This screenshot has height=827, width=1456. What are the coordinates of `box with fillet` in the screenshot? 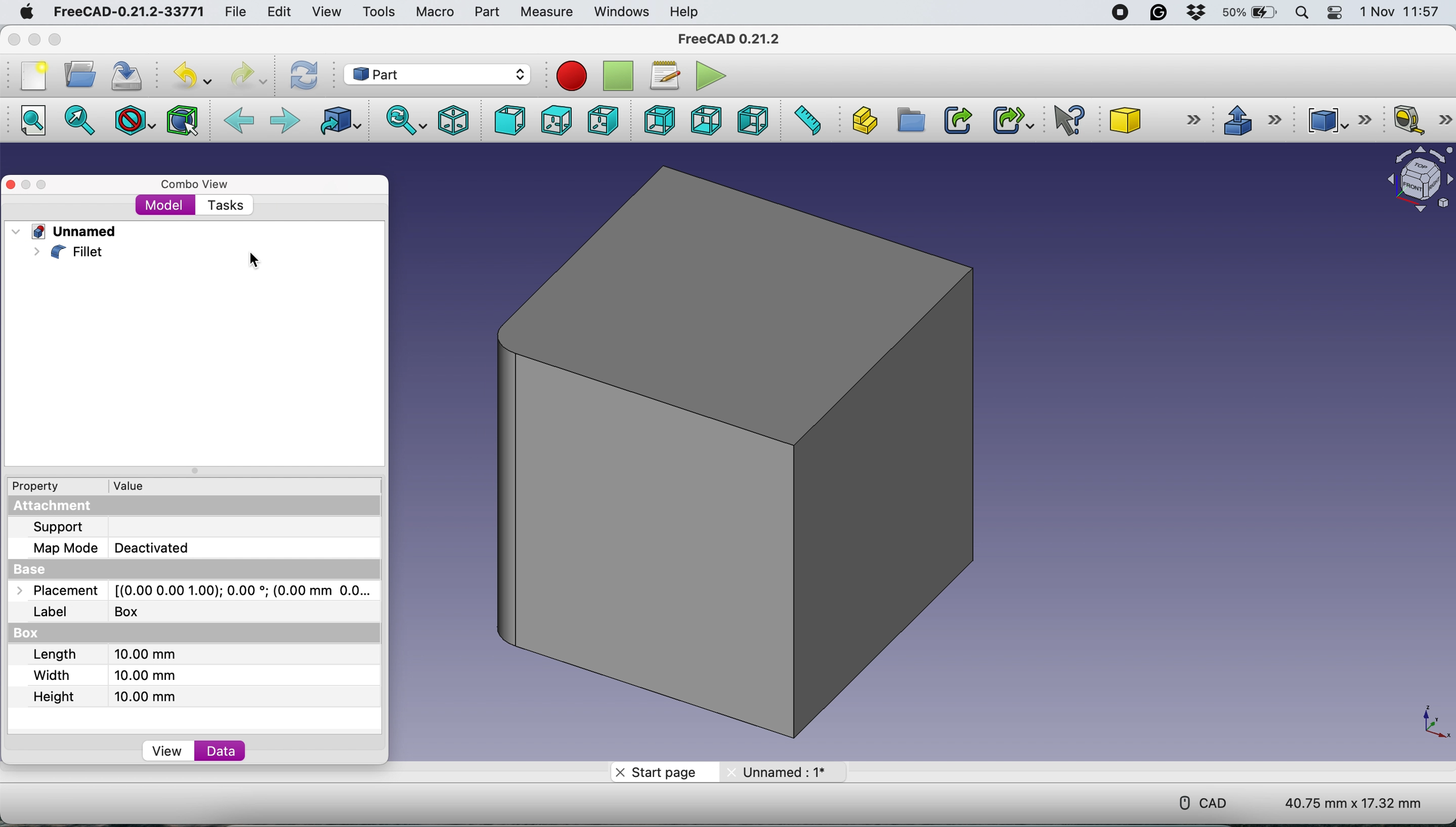 It's located at (738, 451).